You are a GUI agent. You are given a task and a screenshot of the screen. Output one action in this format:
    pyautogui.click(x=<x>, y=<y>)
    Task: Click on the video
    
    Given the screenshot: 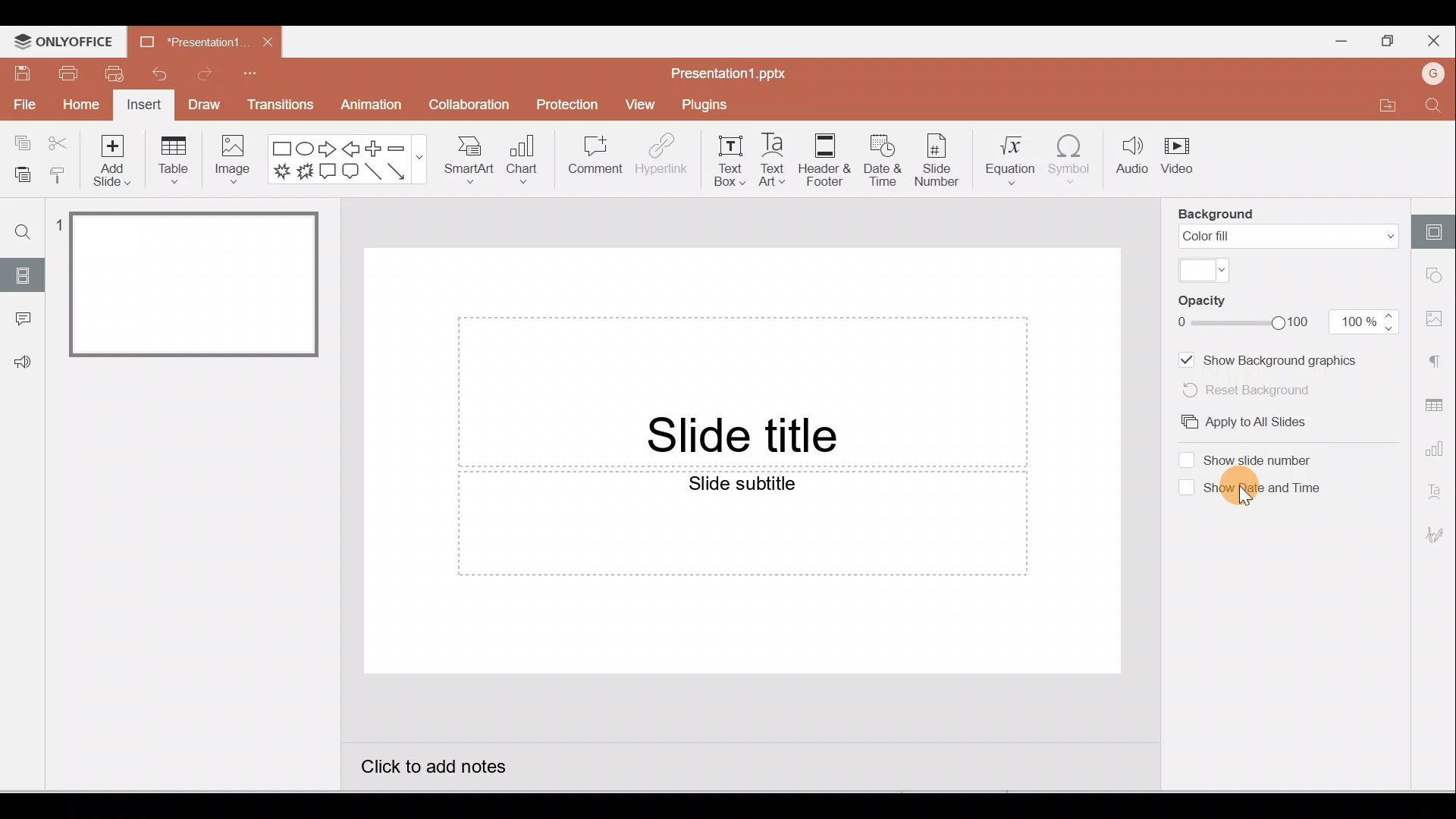 What is the action you would take?
    pyautogui.click(x=1180, y=159)
    